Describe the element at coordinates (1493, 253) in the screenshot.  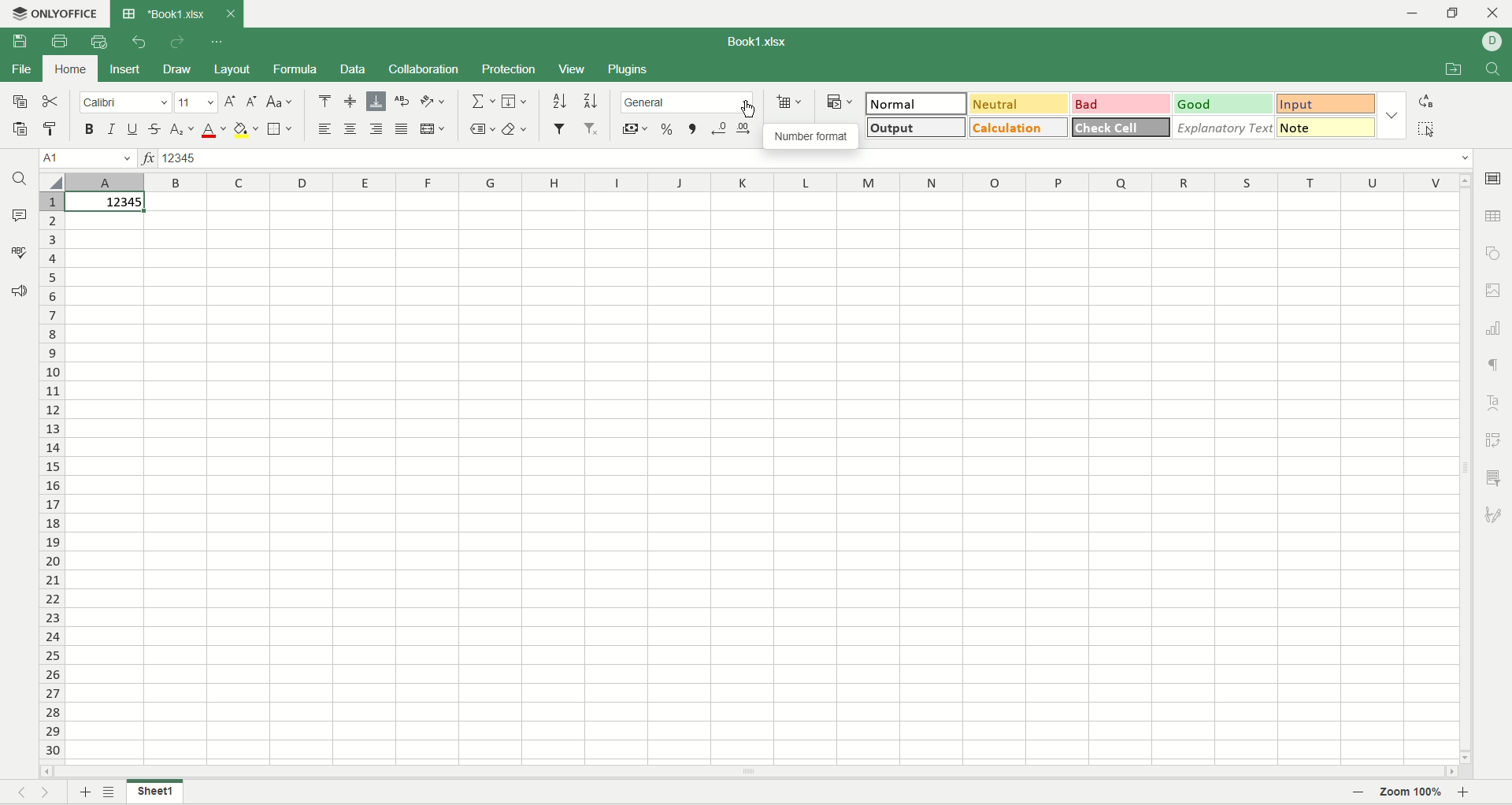
I see `object settings` at that location.